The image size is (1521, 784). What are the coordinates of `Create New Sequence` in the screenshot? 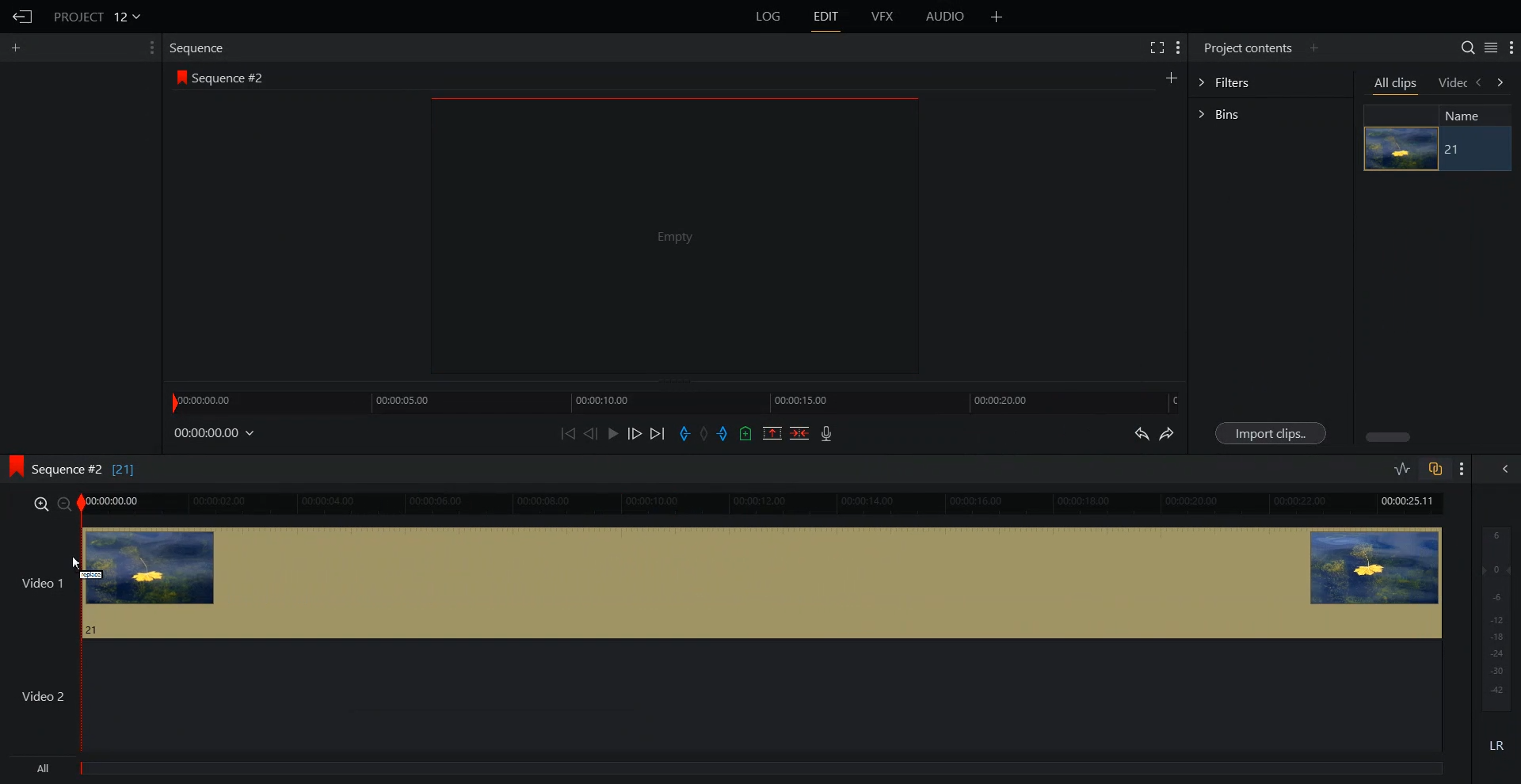 It's located at (1173, 77).